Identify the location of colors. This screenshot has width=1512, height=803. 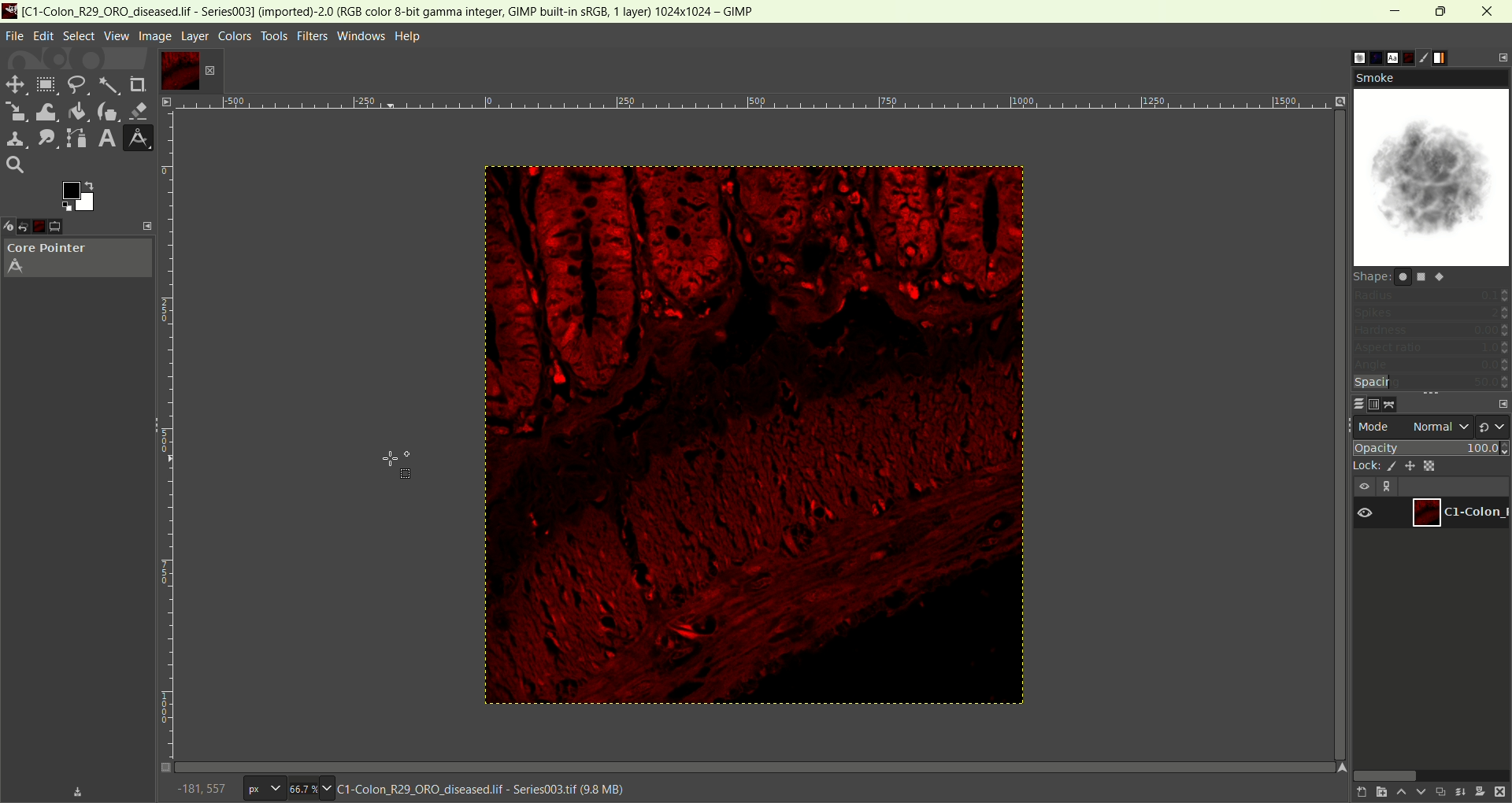
(235, 36).